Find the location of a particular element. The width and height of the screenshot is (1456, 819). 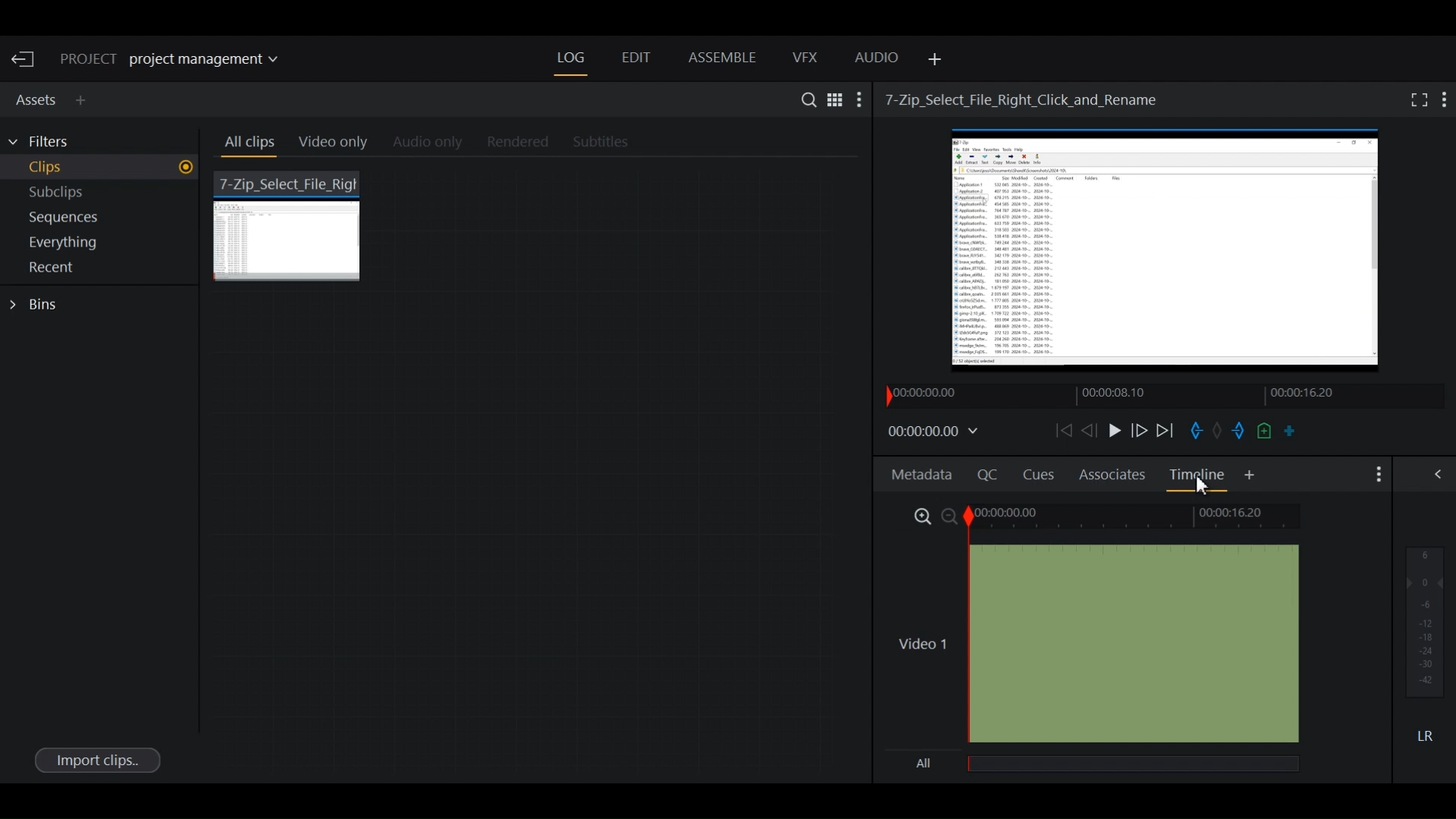

Audio Only is located at coordinates (432, 143).